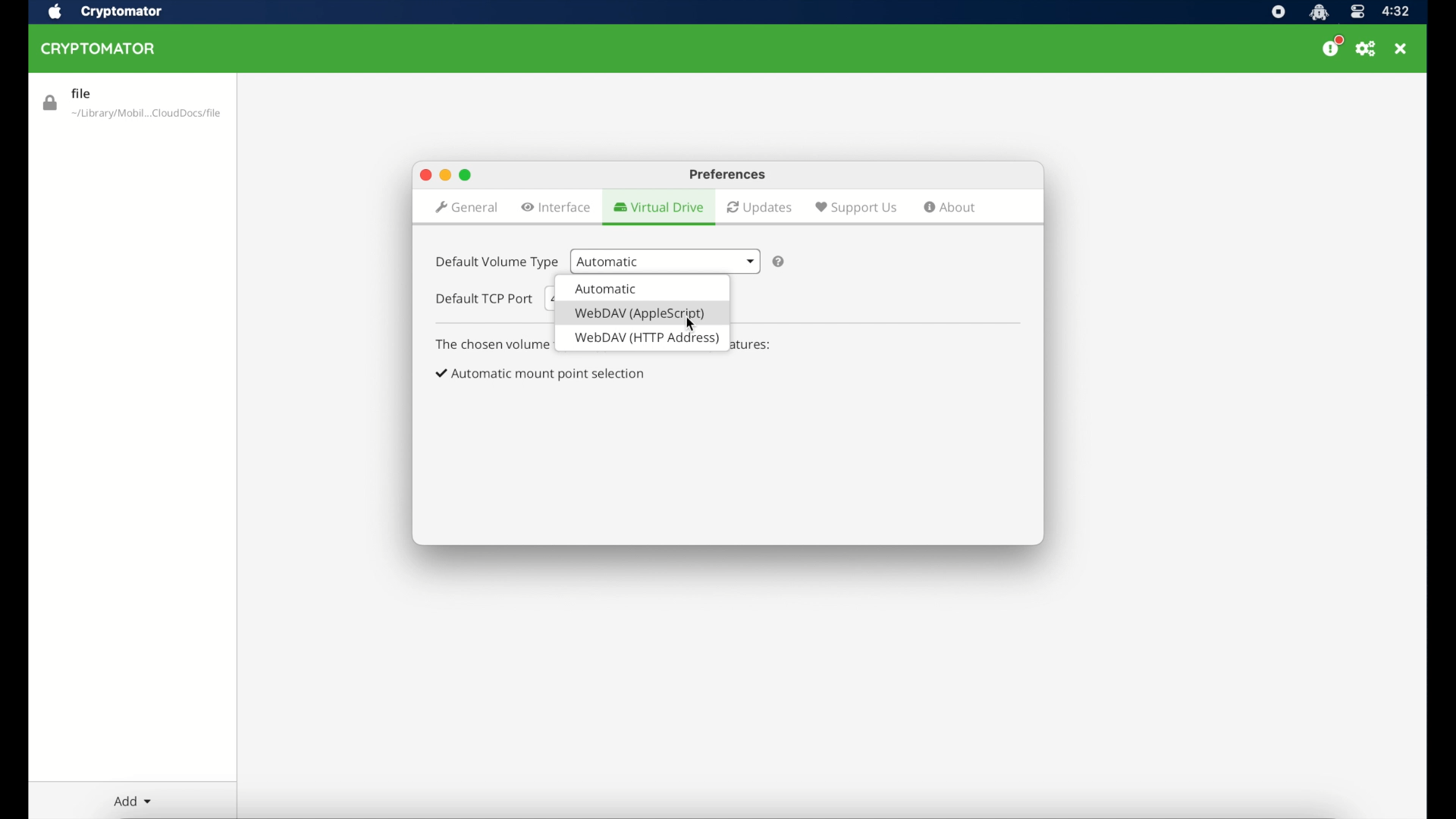 The image size is (1456, 819). What do you see at coordinates (1332, 47) in the screenshot?
I see `donate` at bounding box center [1332, 47].